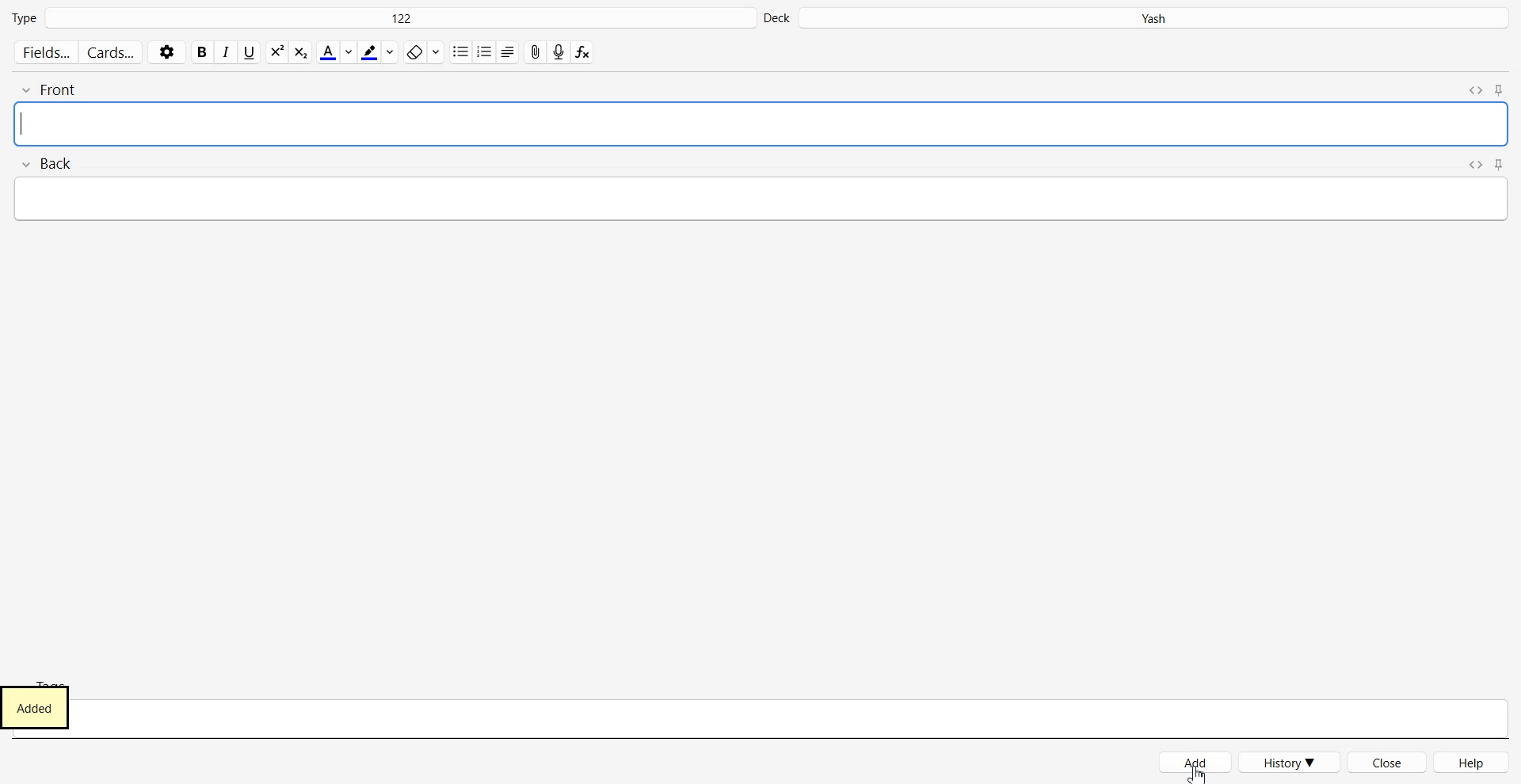  What do you see at coordinates (1199, 772) in the screenshot?
I see `Cursor` at bounding box center [1199, 772].